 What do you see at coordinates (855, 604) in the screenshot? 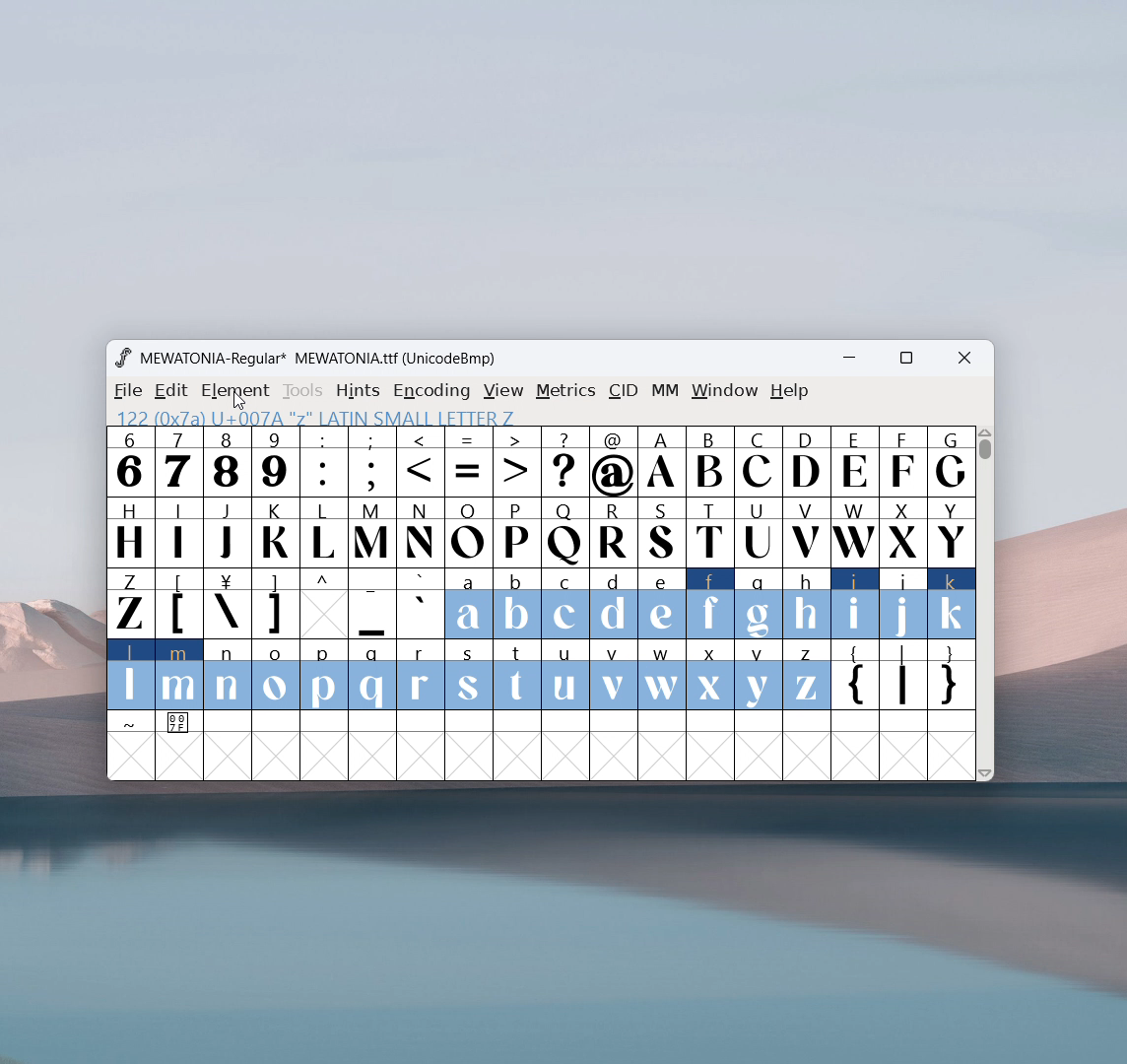
I see `i` at bounding box center [855, 604].